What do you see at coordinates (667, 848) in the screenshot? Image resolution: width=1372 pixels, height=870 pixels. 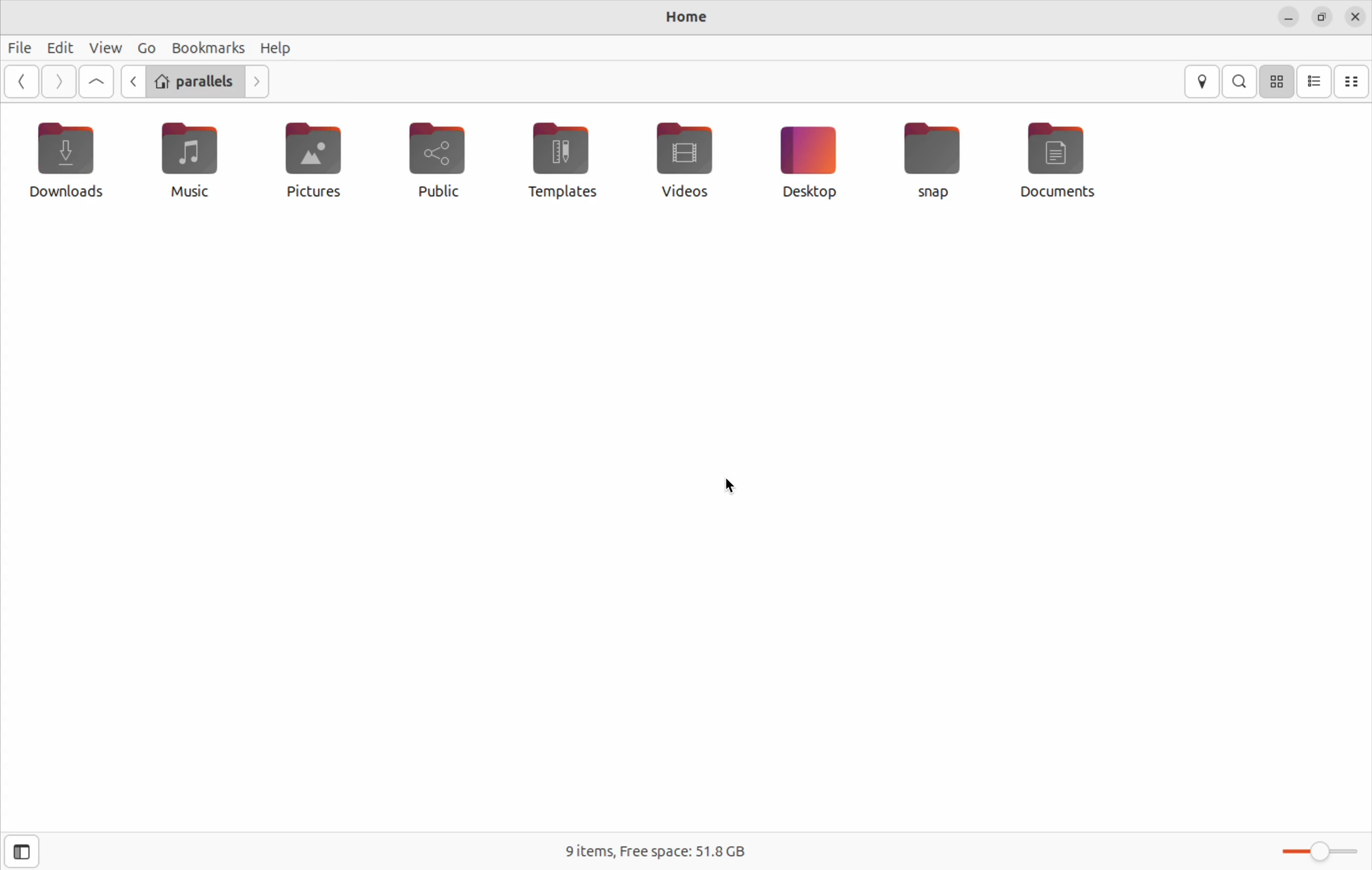 I see `free spaces` at bounding box center [667, 848].